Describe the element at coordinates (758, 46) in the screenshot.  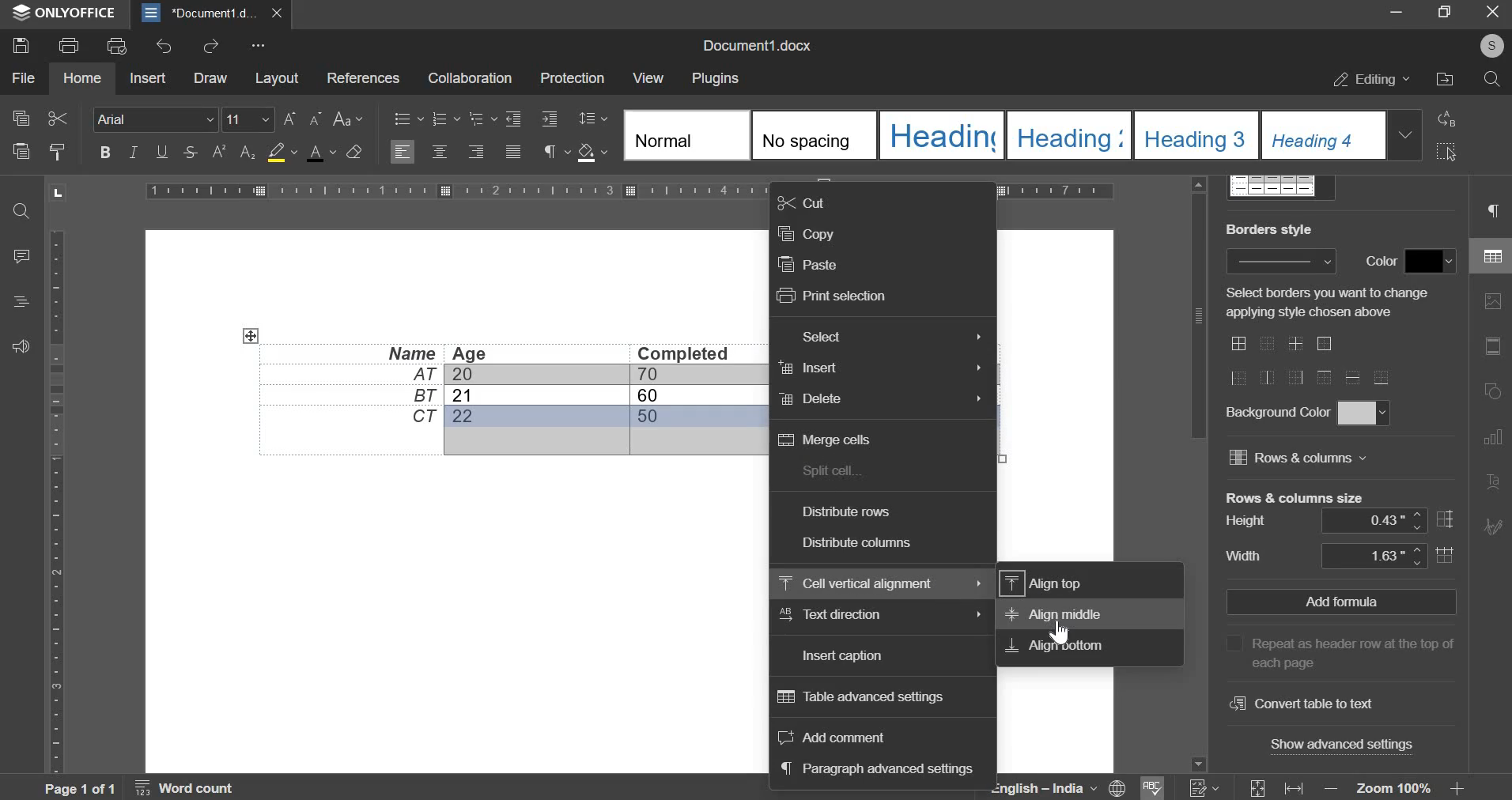
I see `Document1.docx` at that location.